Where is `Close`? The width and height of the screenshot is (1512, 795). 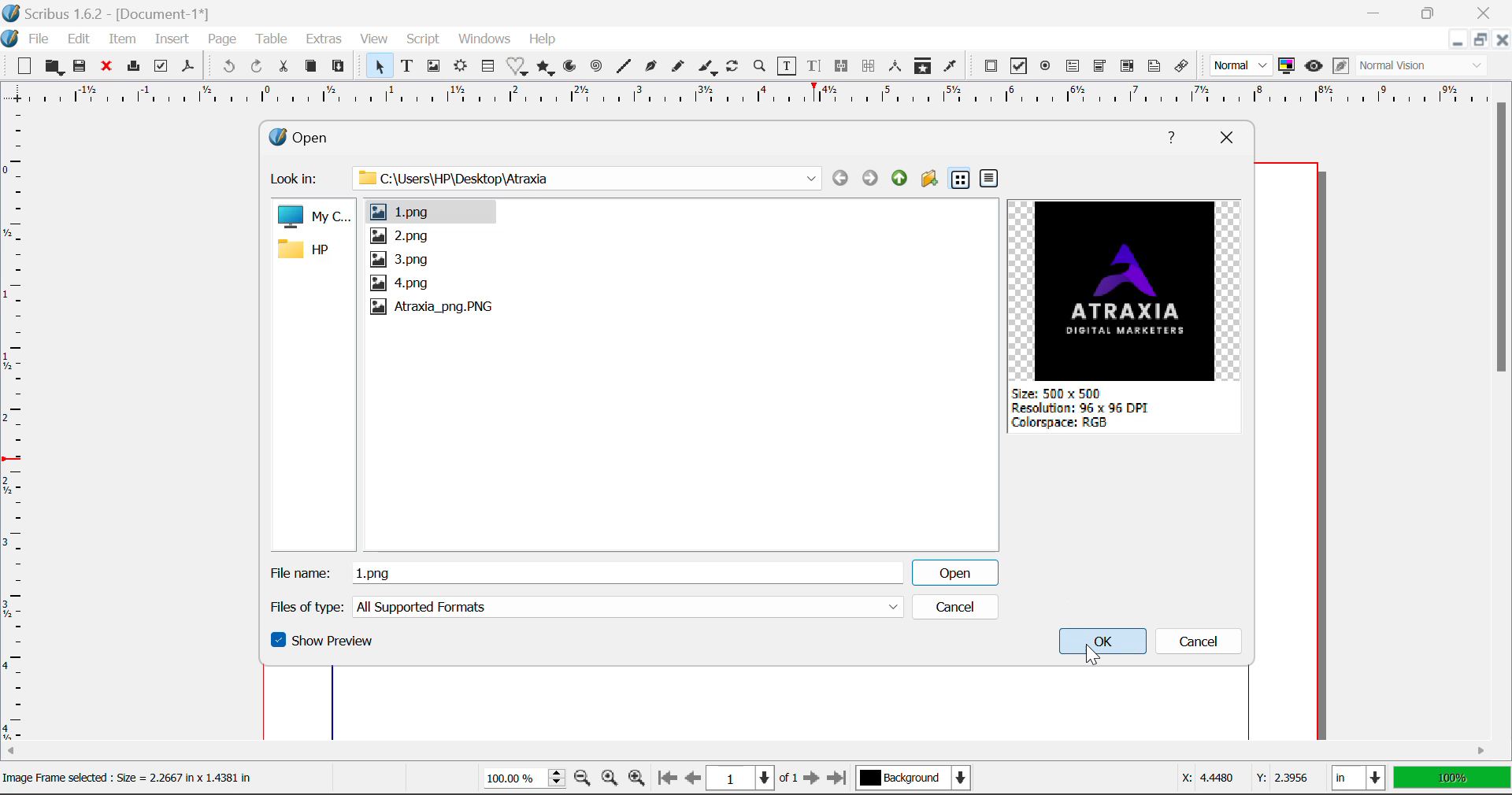
Close is located at coordinates (1503, 42).